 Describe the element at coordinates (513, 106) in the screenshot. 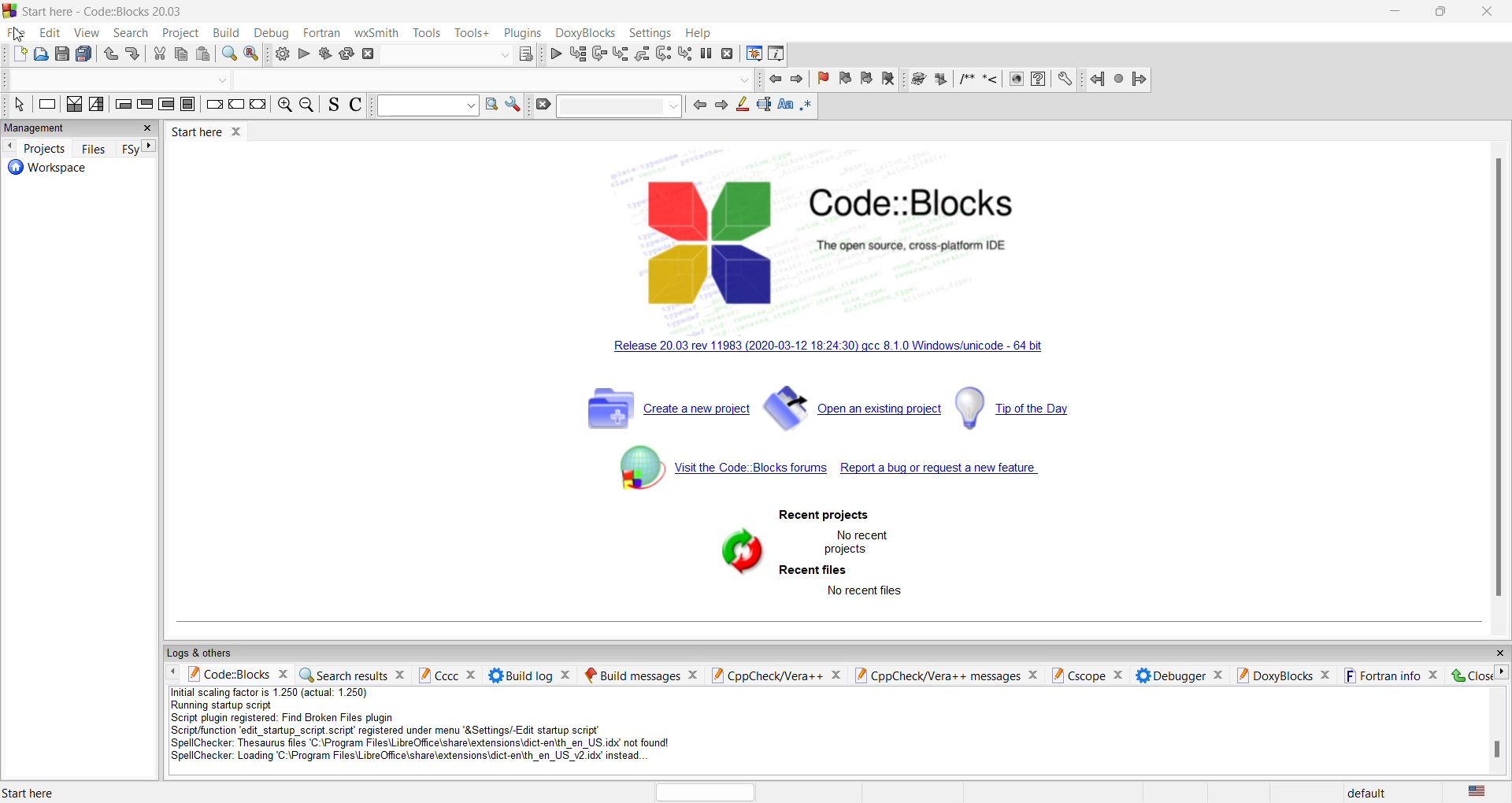

I see `settings` at that location.